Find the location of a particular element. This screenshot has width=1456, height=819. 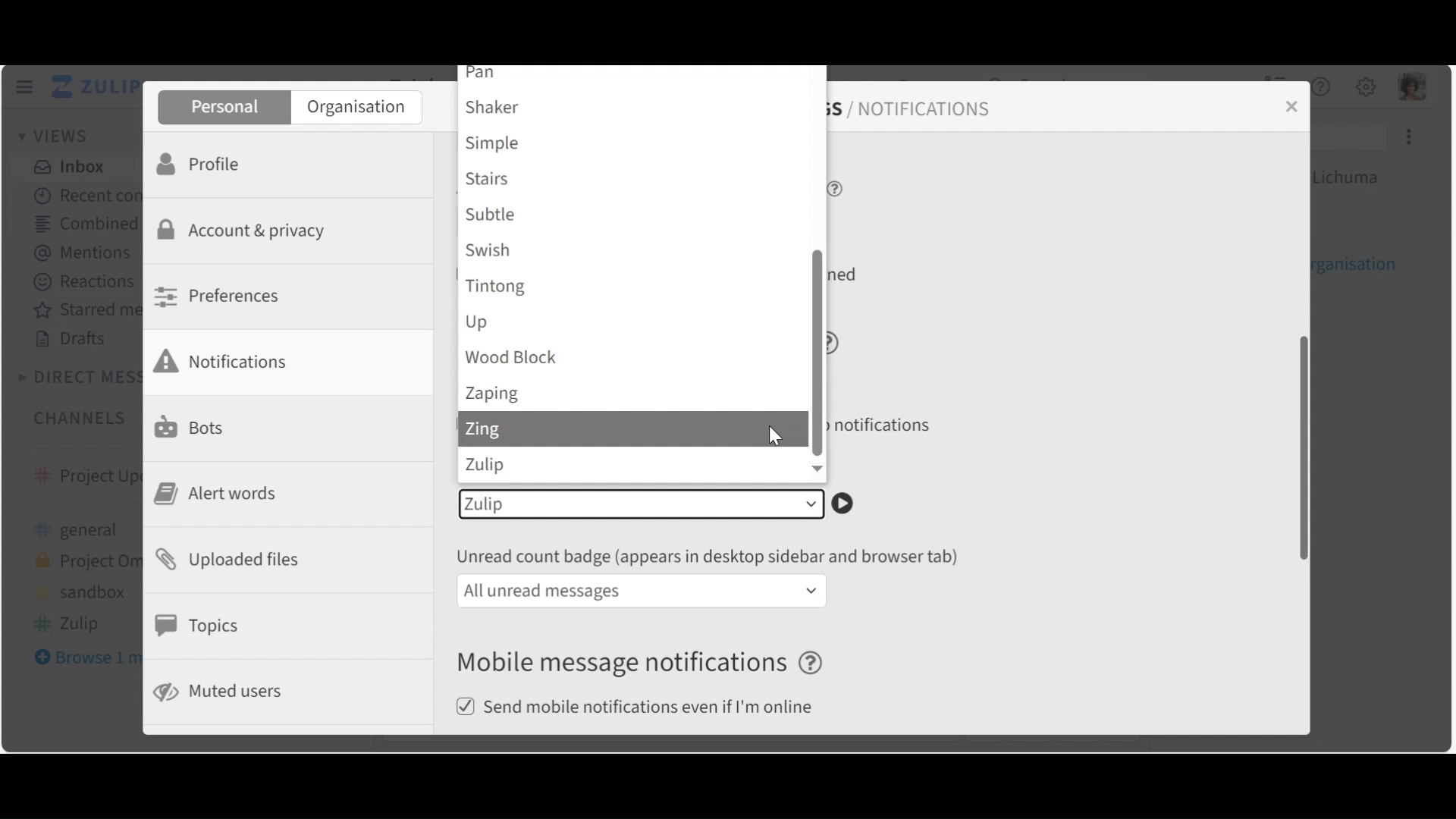

unread count badge dropdown menu is located at coordinates (642, 591).